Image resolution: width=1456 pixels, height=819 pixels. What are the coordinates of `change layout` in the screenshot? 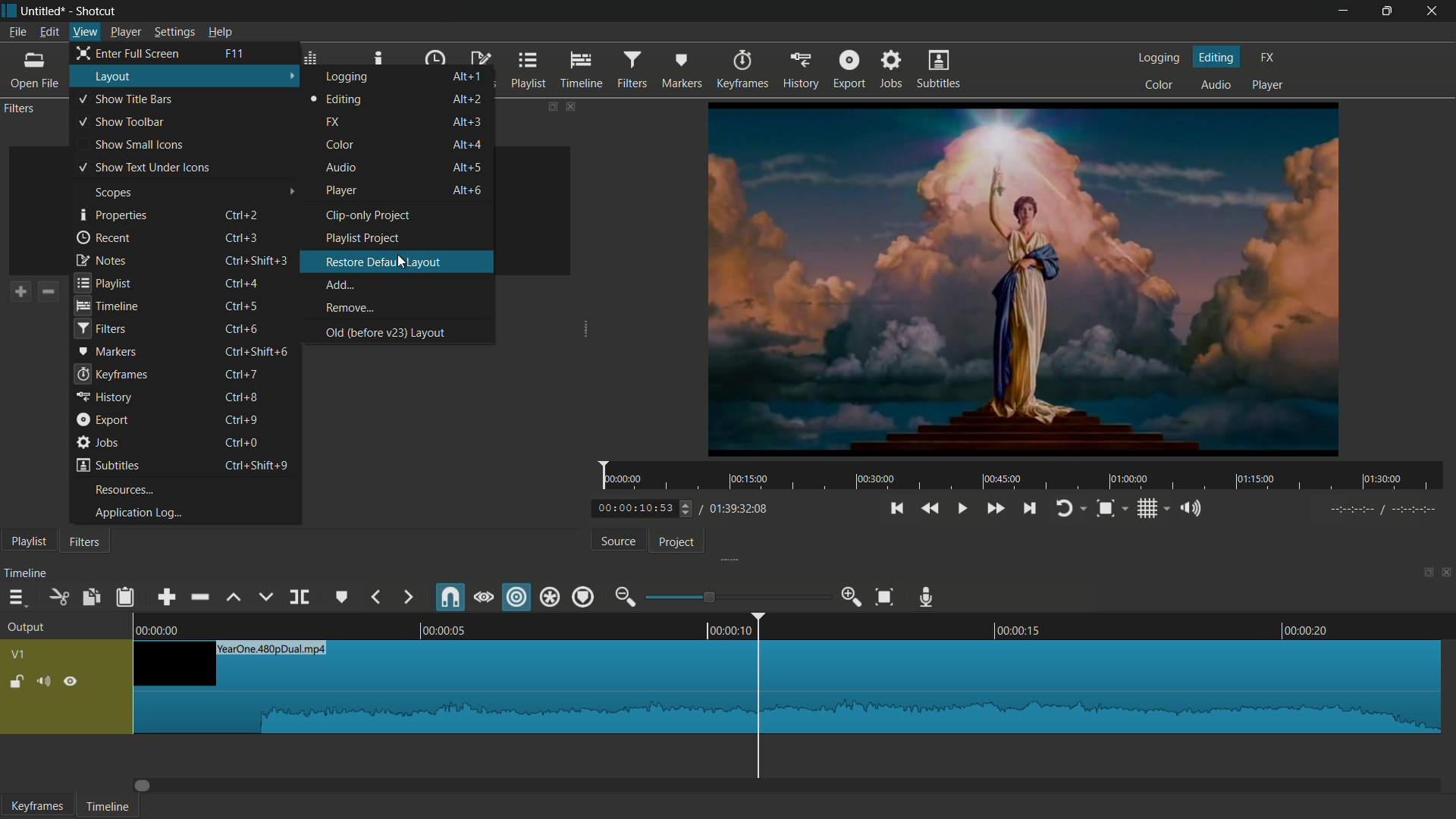 It's located at (547, 105).